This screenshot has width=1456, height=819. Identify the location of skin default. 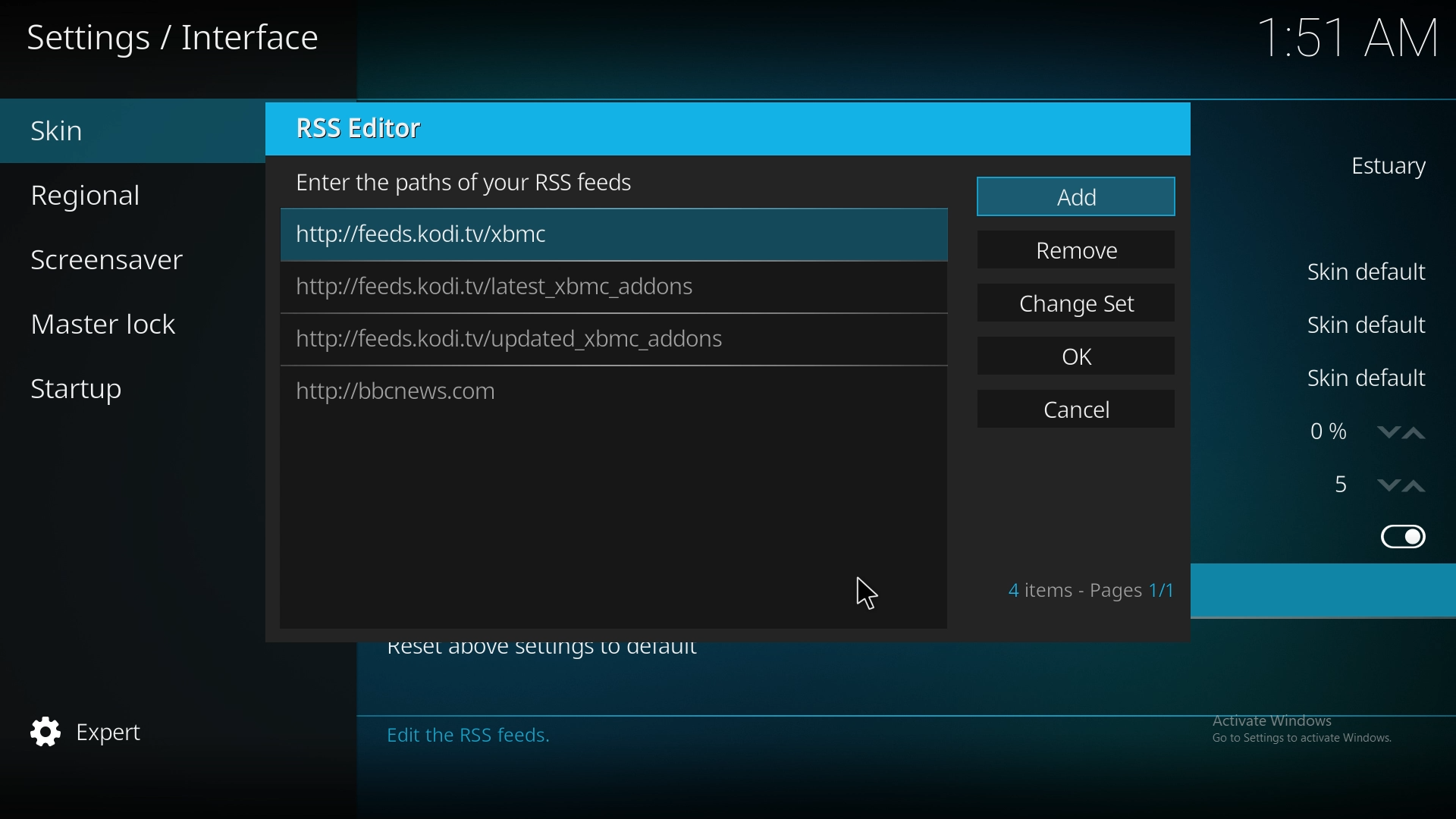
(1371, 271).